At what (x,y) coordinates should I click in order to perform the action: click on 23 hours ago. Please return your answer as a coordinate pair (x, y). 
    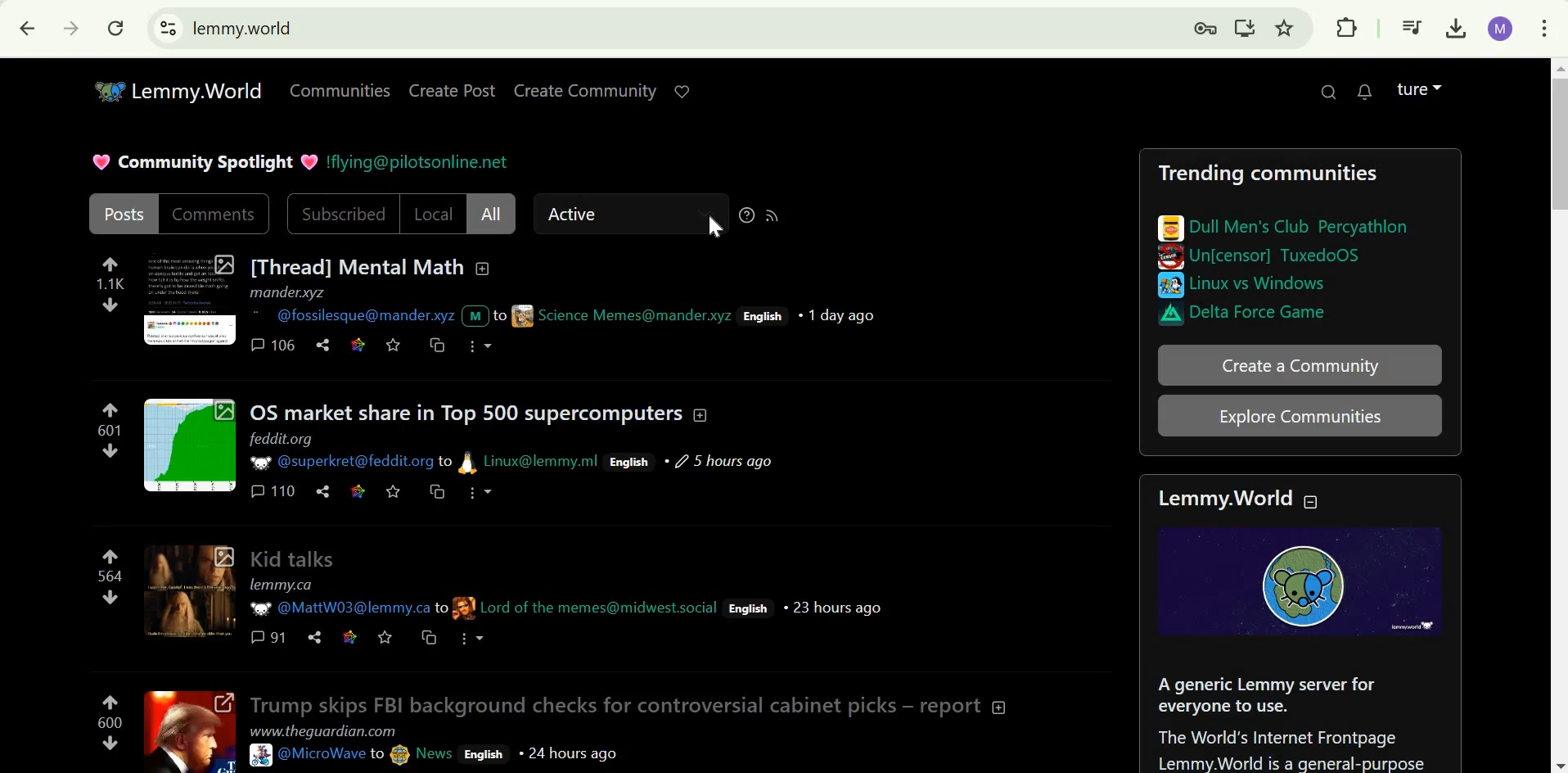
    Looking at the image, I should click on (833, 607).